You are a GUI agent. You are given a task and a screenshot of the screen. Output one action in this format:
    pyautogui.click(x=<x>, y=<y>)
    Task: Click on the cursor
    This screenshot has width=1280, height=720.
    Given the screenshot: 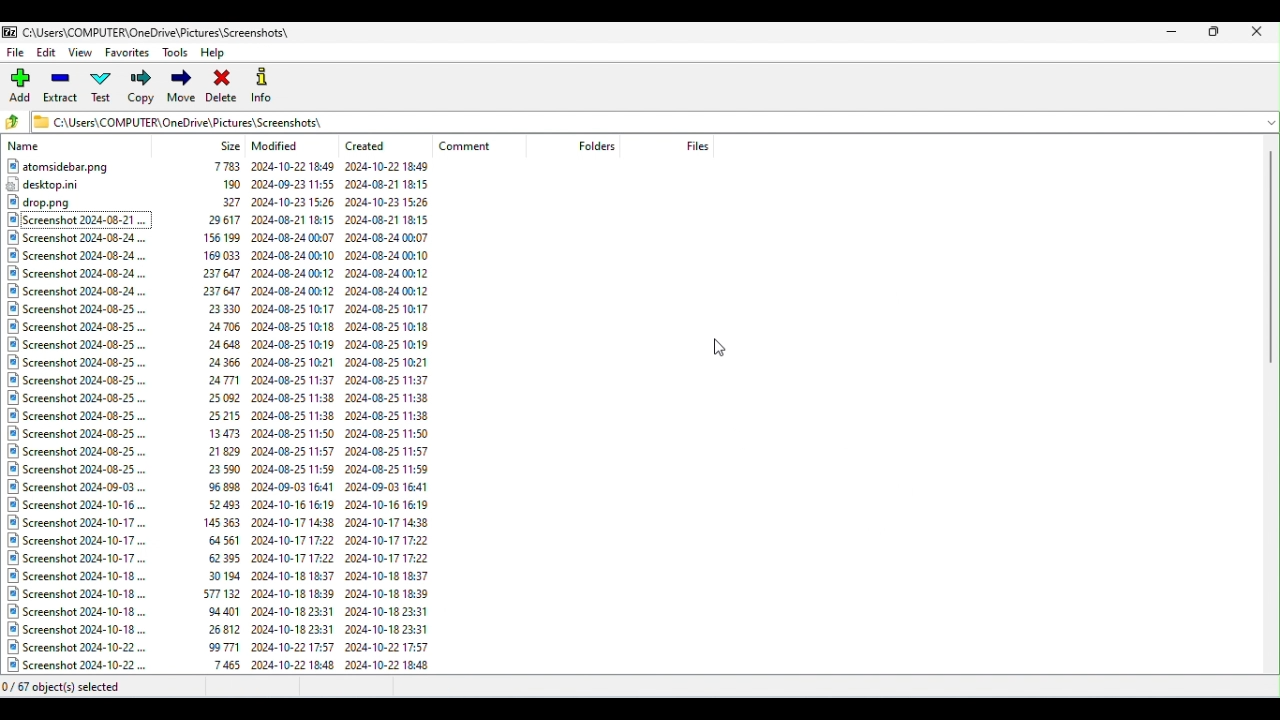 What is the action you would take?
    pyautogui.click(x=720, y=347)
    